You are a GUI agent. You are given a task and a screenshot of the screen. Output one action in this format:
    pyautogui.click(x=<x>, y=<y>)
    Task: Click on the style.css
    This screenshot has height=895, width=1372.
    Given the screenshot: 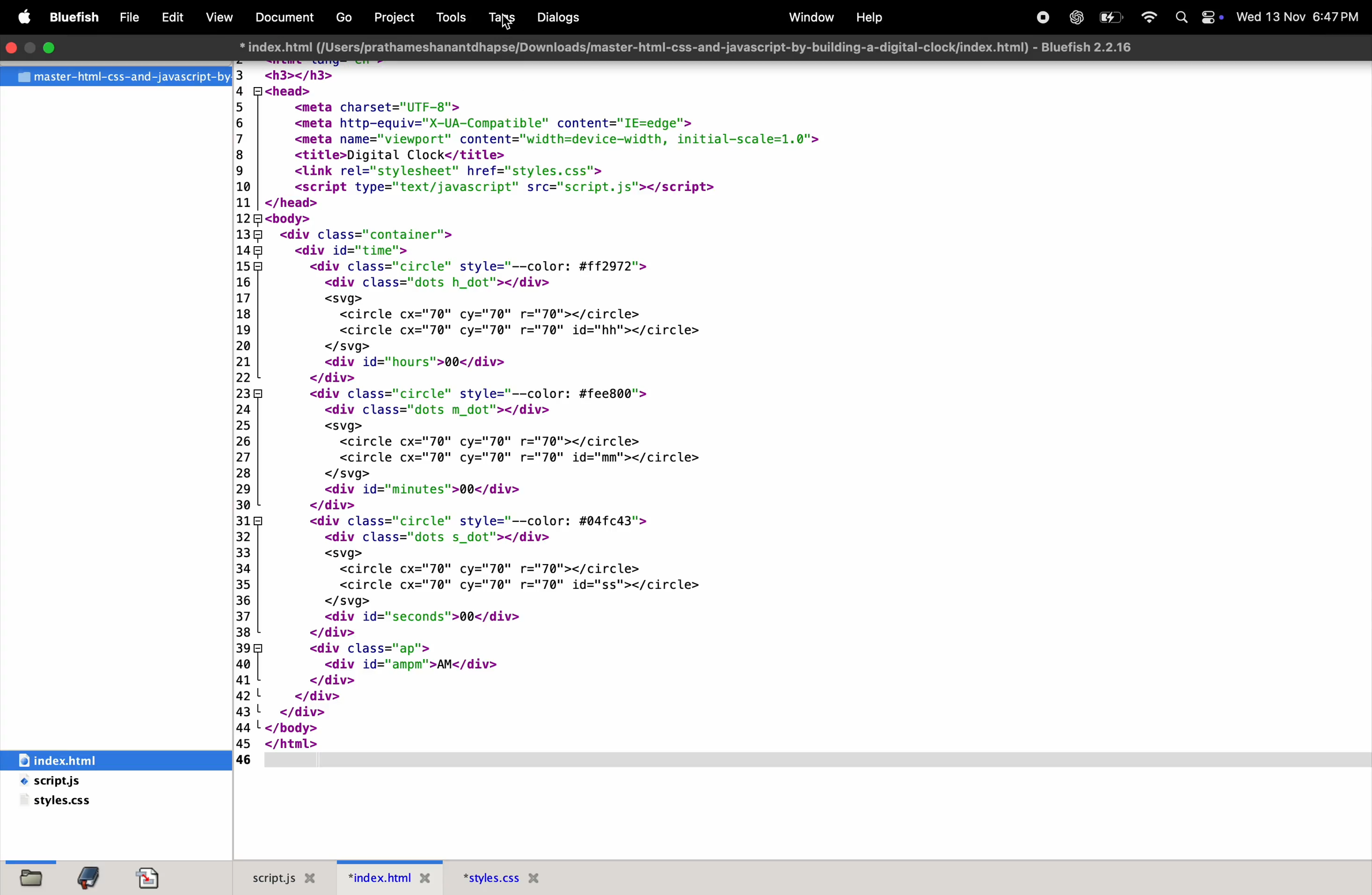 What is the action you would take?
    pyautogui.click(x=88, y=802)
    